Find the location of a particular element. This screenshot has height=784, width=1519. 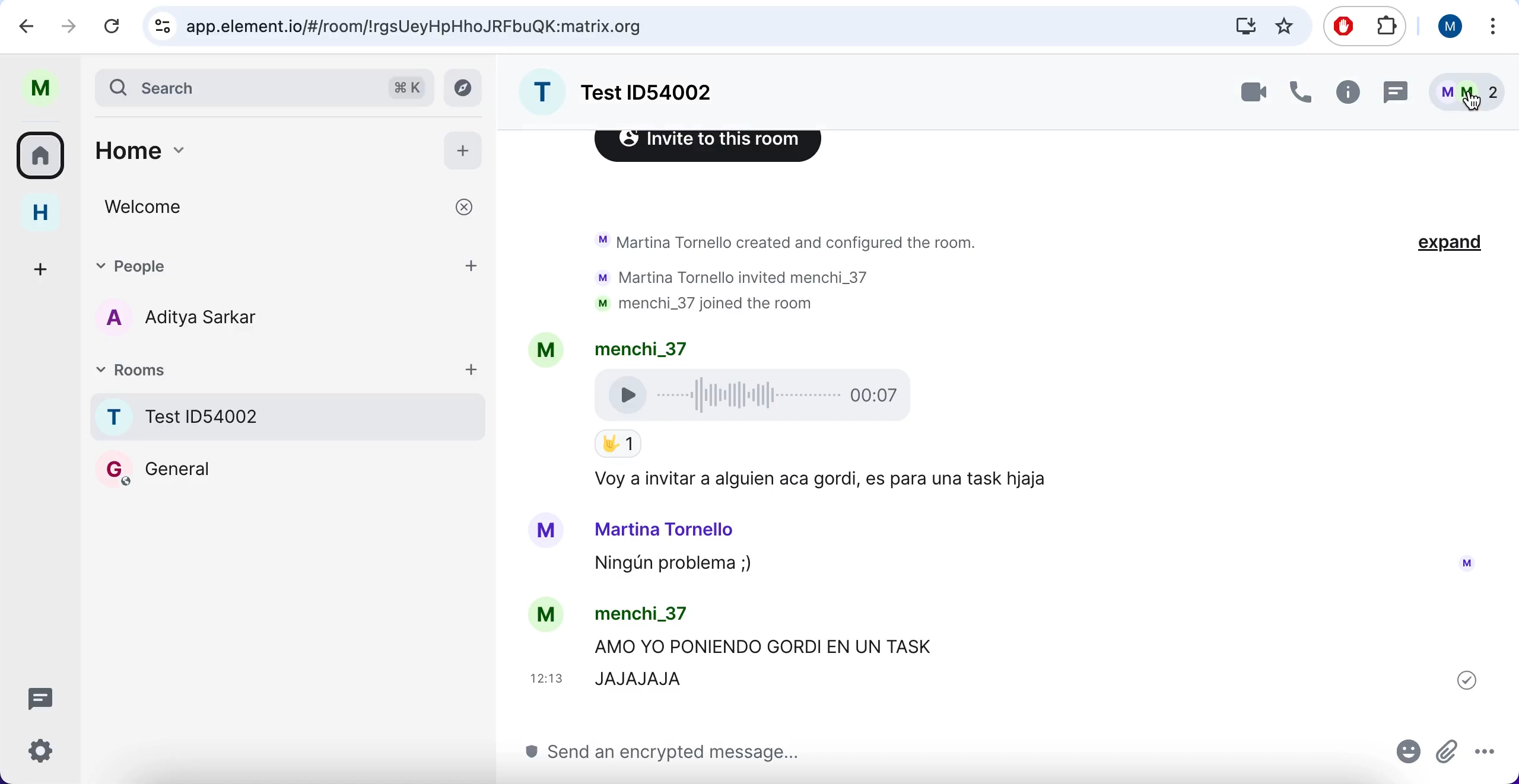

emoji is located at coordinates (1402, 753).